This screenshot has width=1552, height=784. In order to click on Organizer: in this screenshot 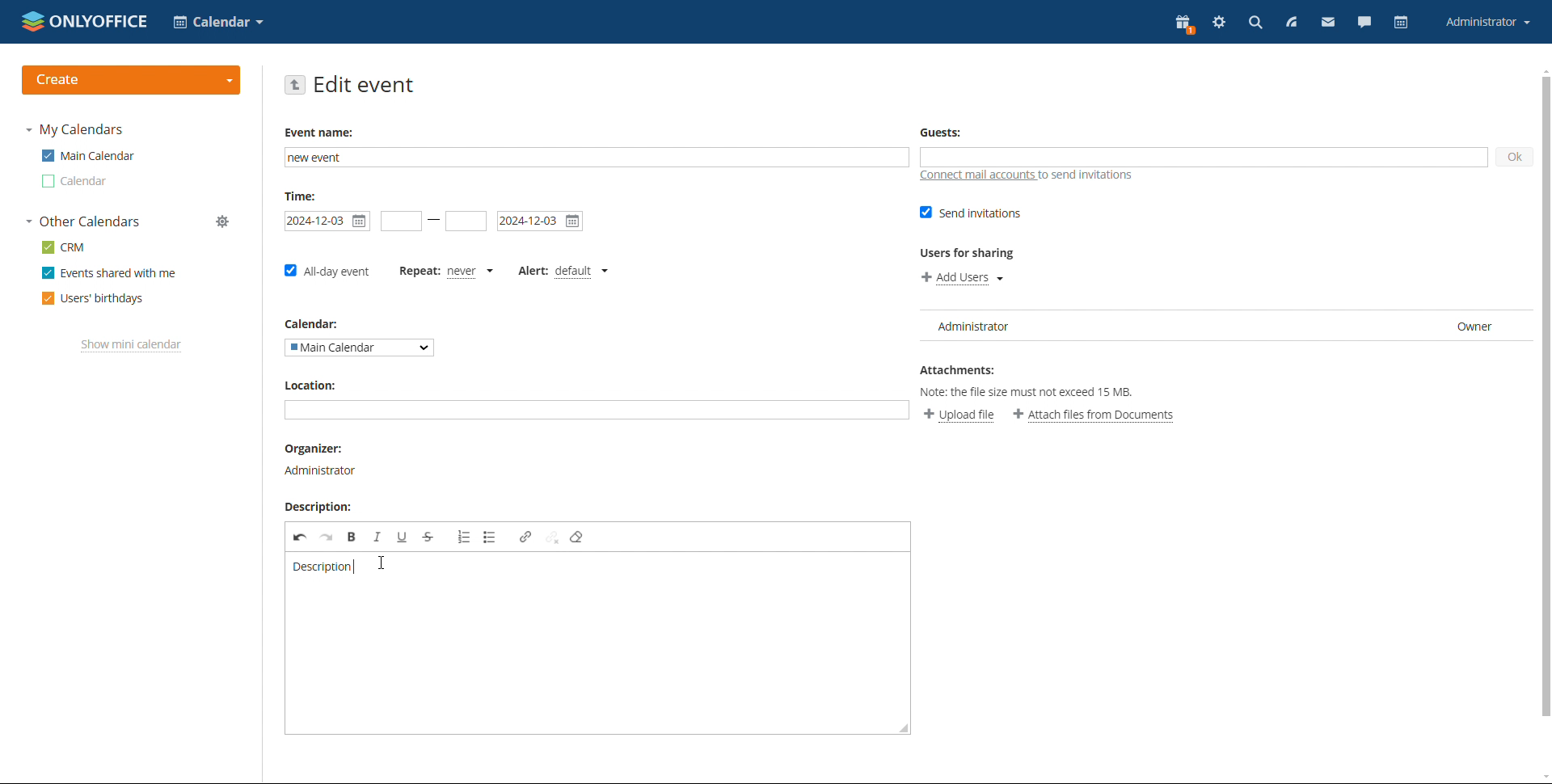, I will do `click(315, 449)`.